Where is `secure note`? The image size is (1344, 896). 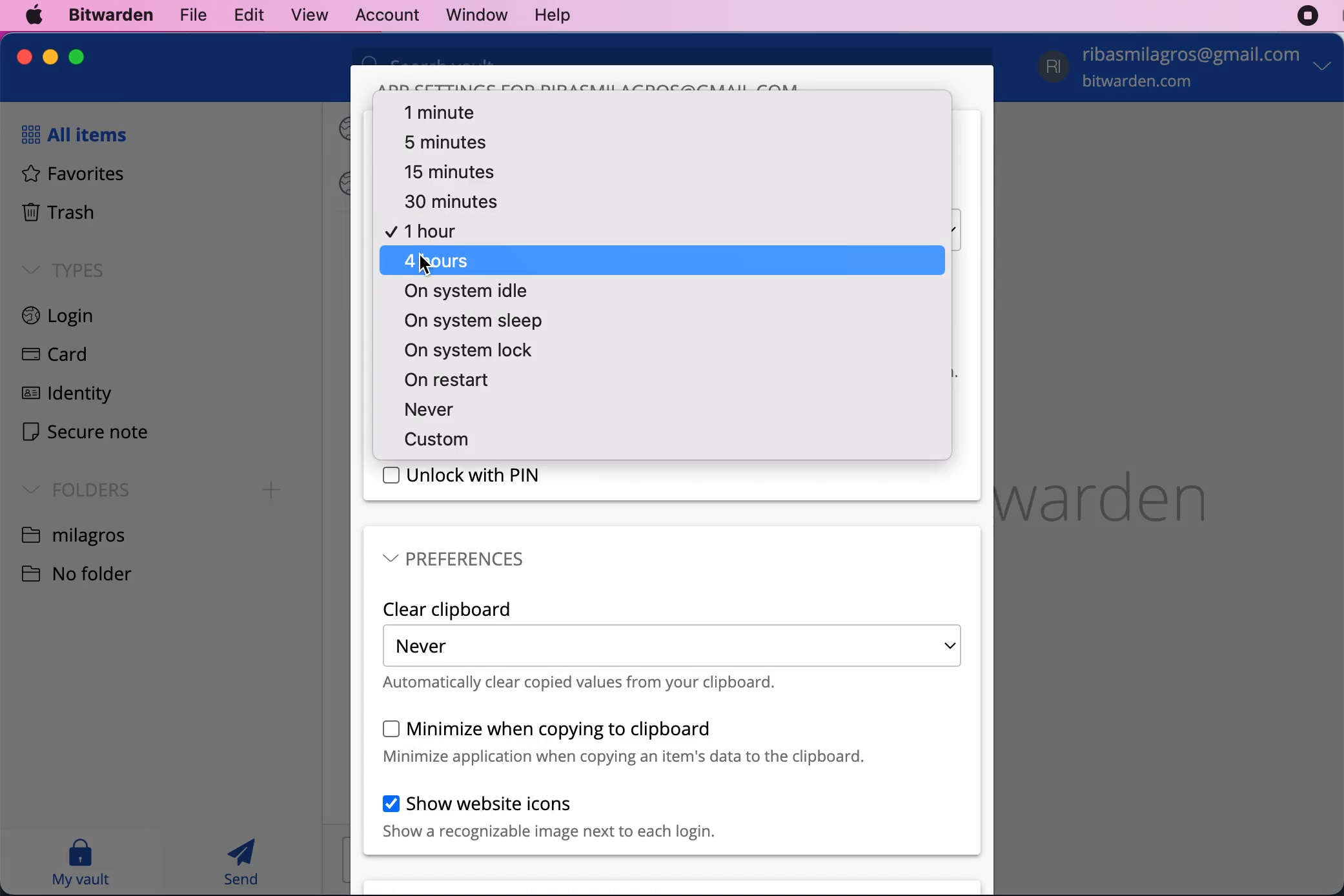
secure note is located at coordinates (85, 434).